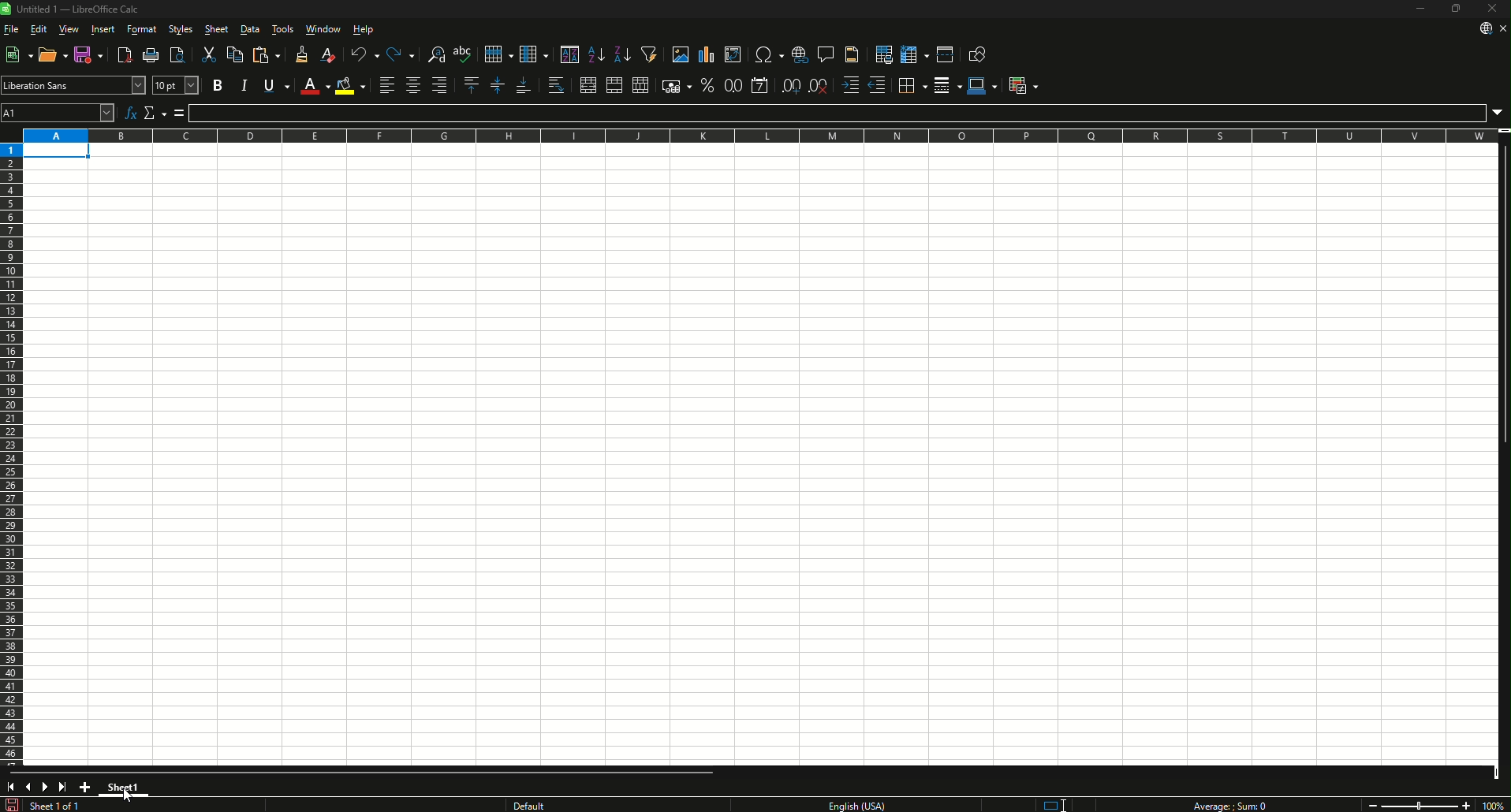 The width and height of the screenshot is (1511, 812). I want to click on File, so click(12, 29).